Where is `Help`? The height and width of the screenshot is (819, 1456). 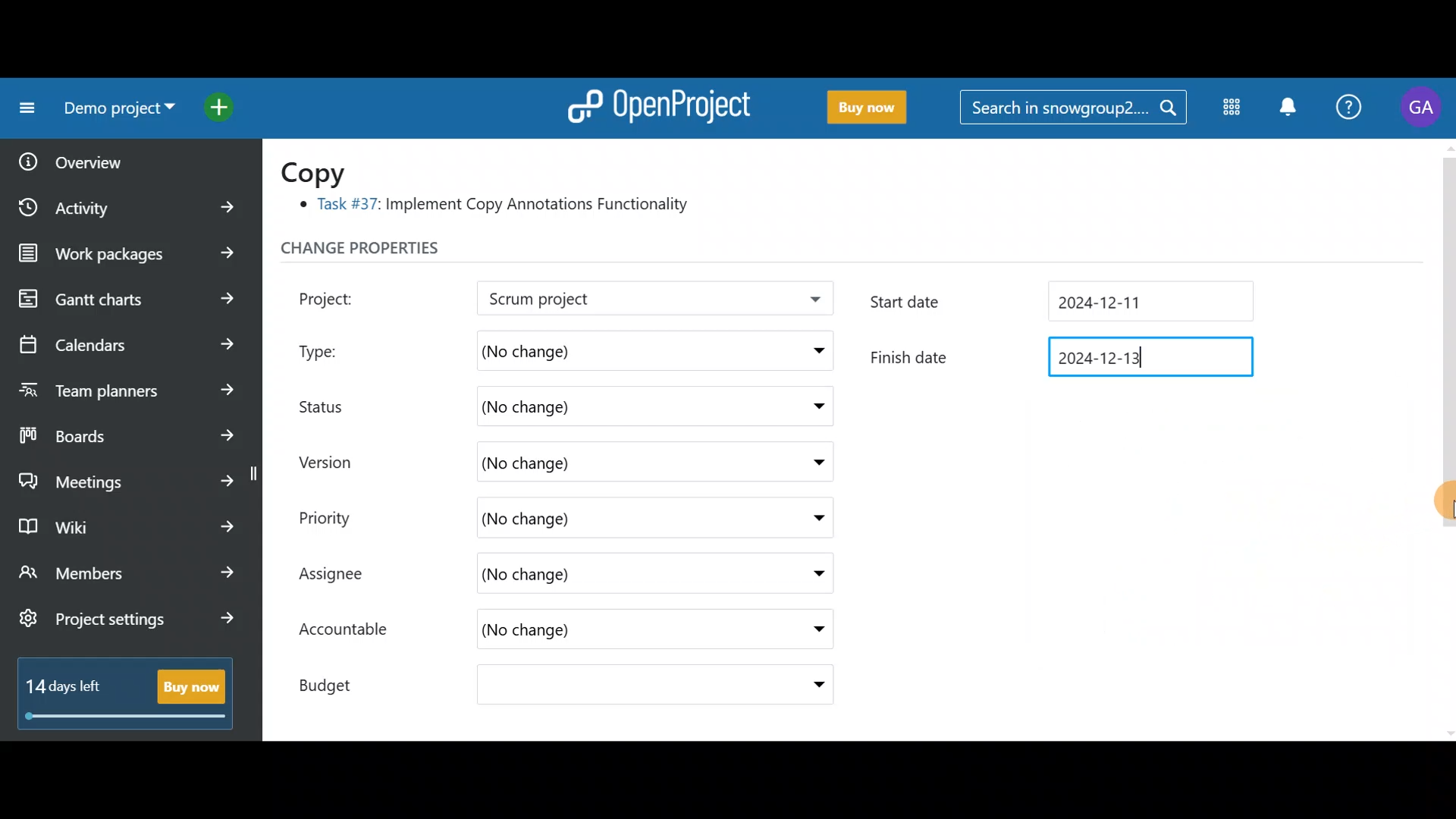 Help is located at coordinates (1350, 109).